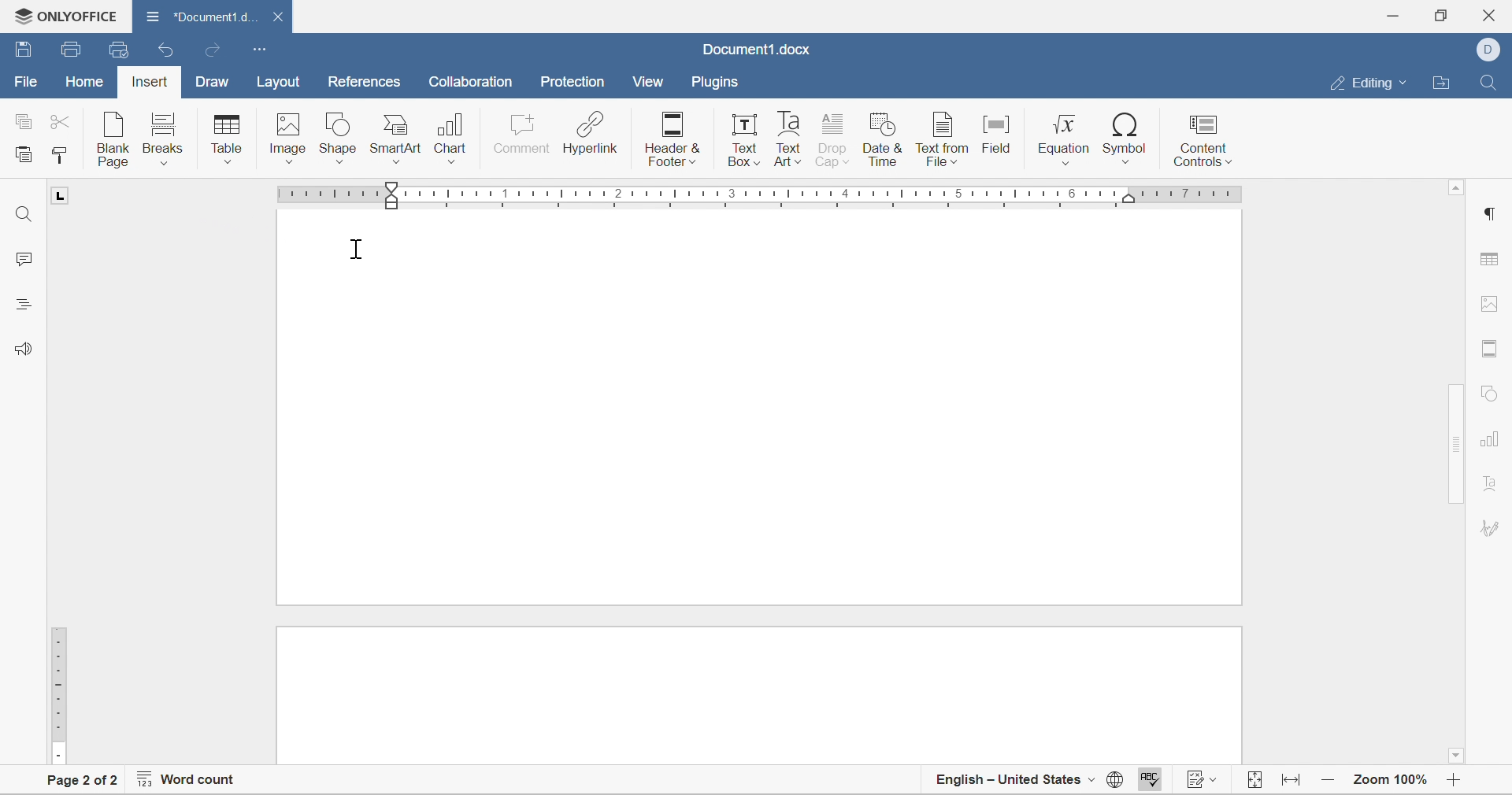 The height and width of the screenshot is (795, 1512). What do you see at coordinates (999, 139) in the screenshot?
I see `Field` at bounding box center [999, 139].